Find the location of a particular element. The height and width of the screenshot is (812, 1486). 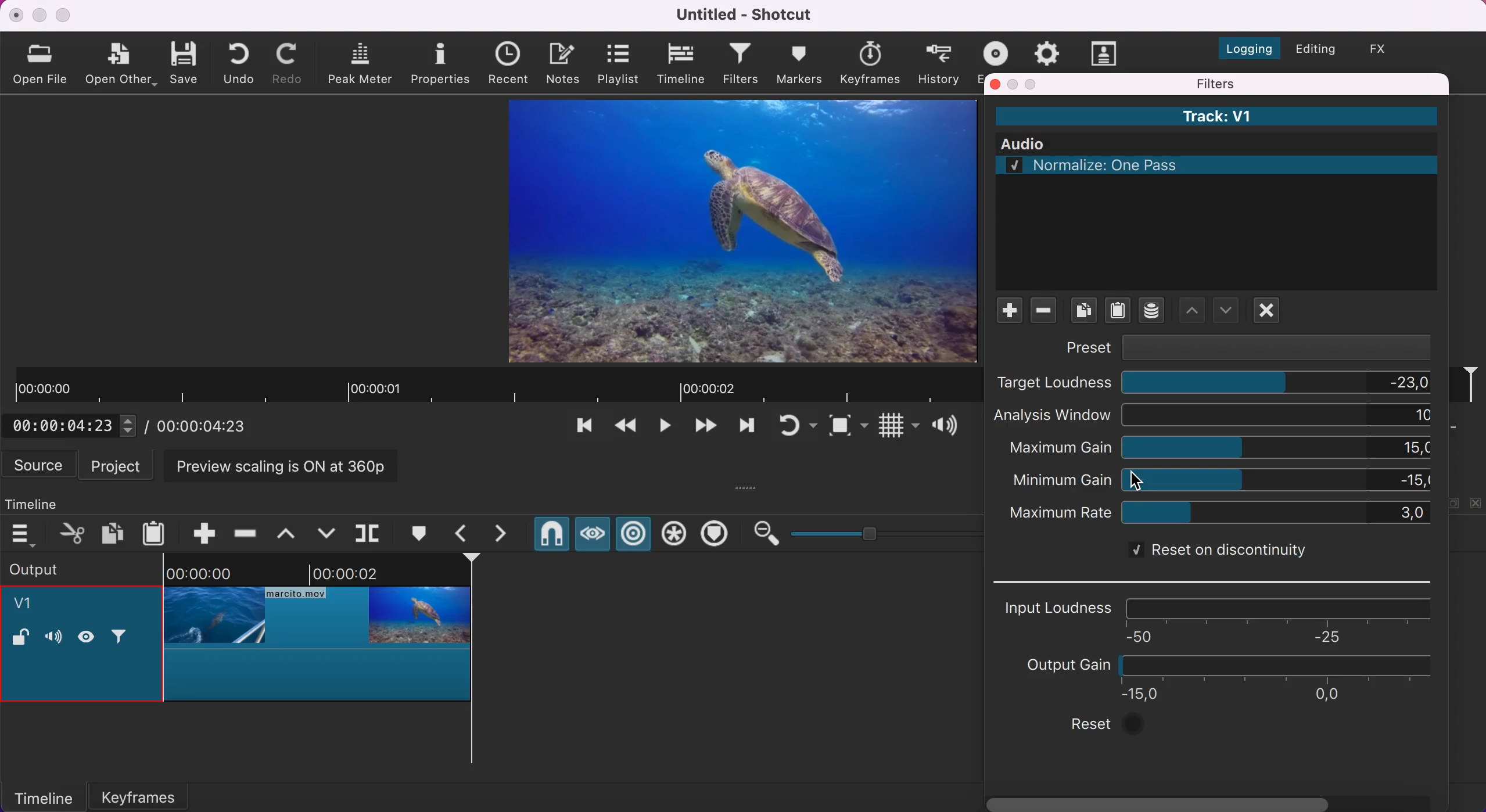

total duration is located at coordinates (208, 426).